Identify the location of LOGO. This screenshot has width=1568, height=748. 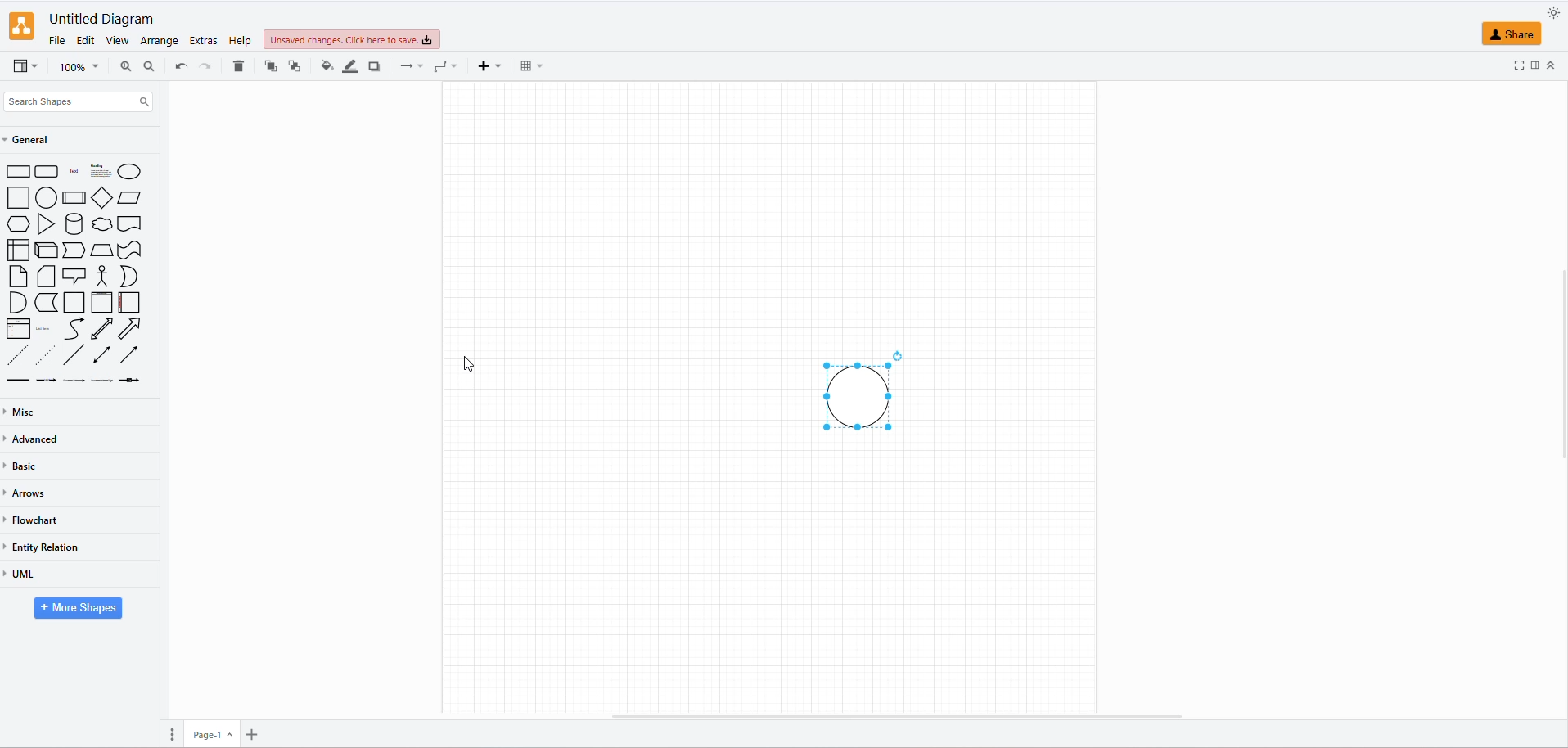
(21, 25).